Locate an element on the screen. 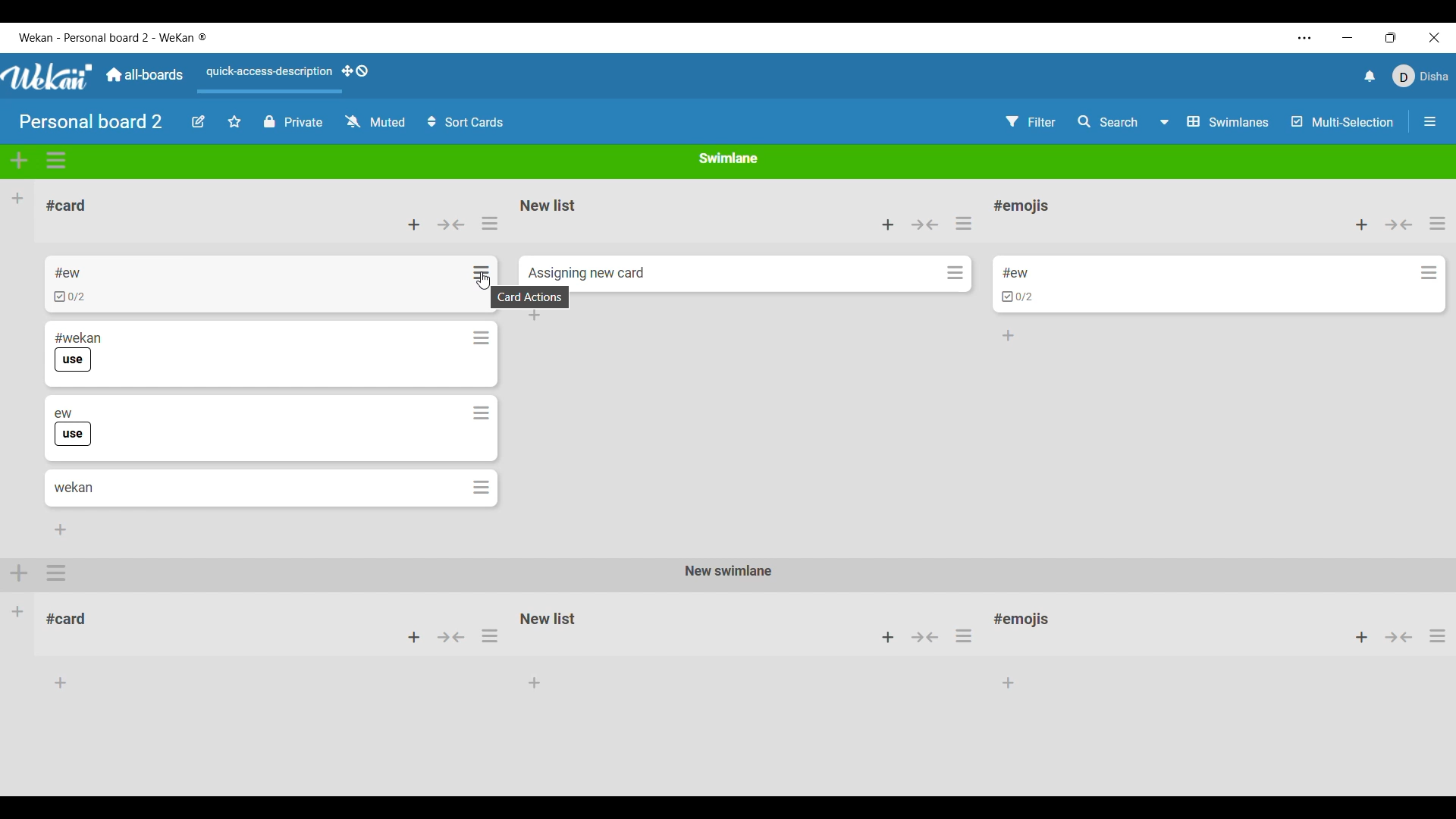 Image resolution: width=1456 pixels, height=819 pixels. List actions is located at coordinates (1438, 223).